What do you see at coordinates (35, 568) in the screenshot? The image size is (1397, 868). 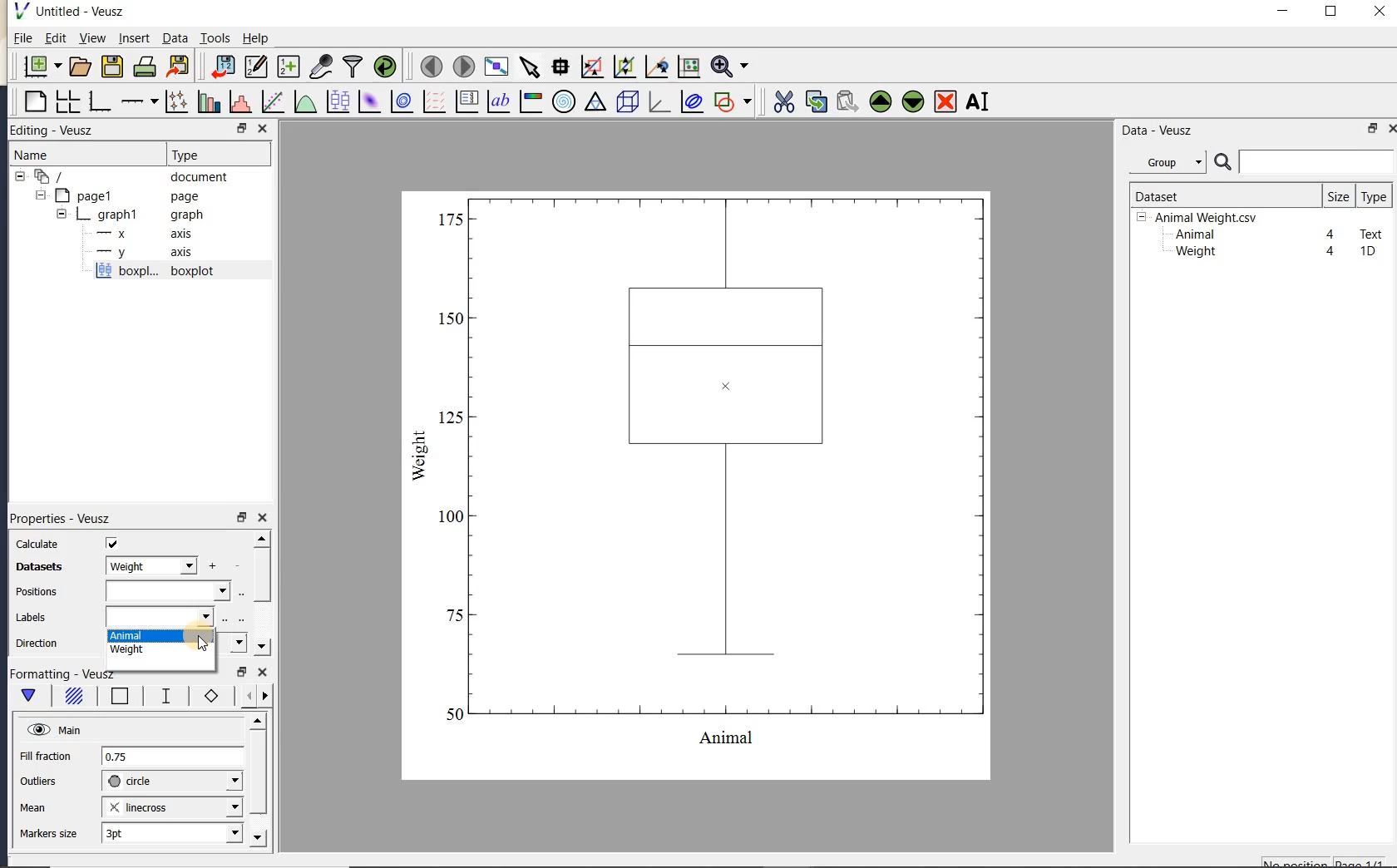 I see `datasets` at bounding box center [35, 568].